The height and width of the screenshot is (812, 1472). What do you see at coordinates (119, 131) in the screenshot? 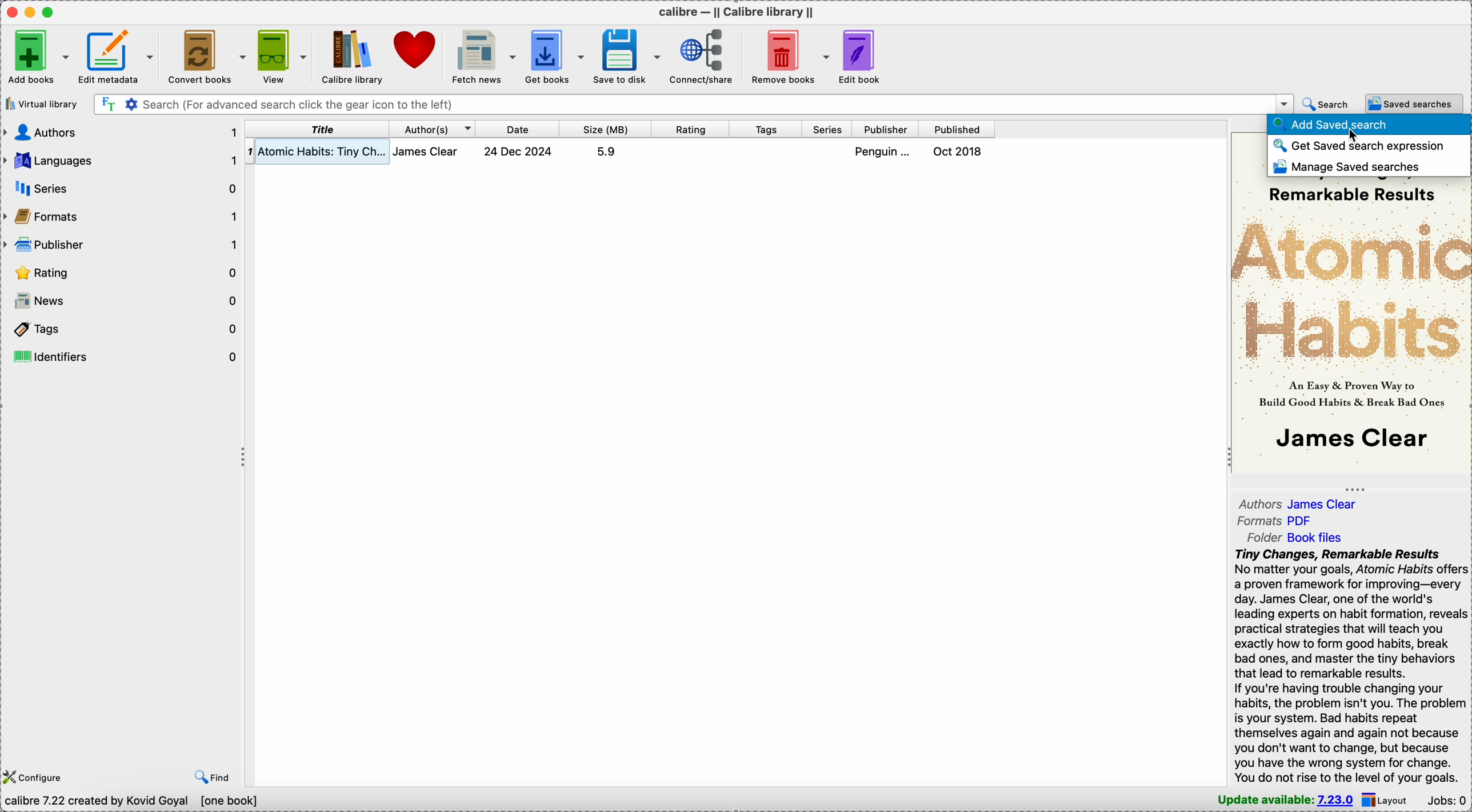
I see `authors` at bounding box center [119, 131].